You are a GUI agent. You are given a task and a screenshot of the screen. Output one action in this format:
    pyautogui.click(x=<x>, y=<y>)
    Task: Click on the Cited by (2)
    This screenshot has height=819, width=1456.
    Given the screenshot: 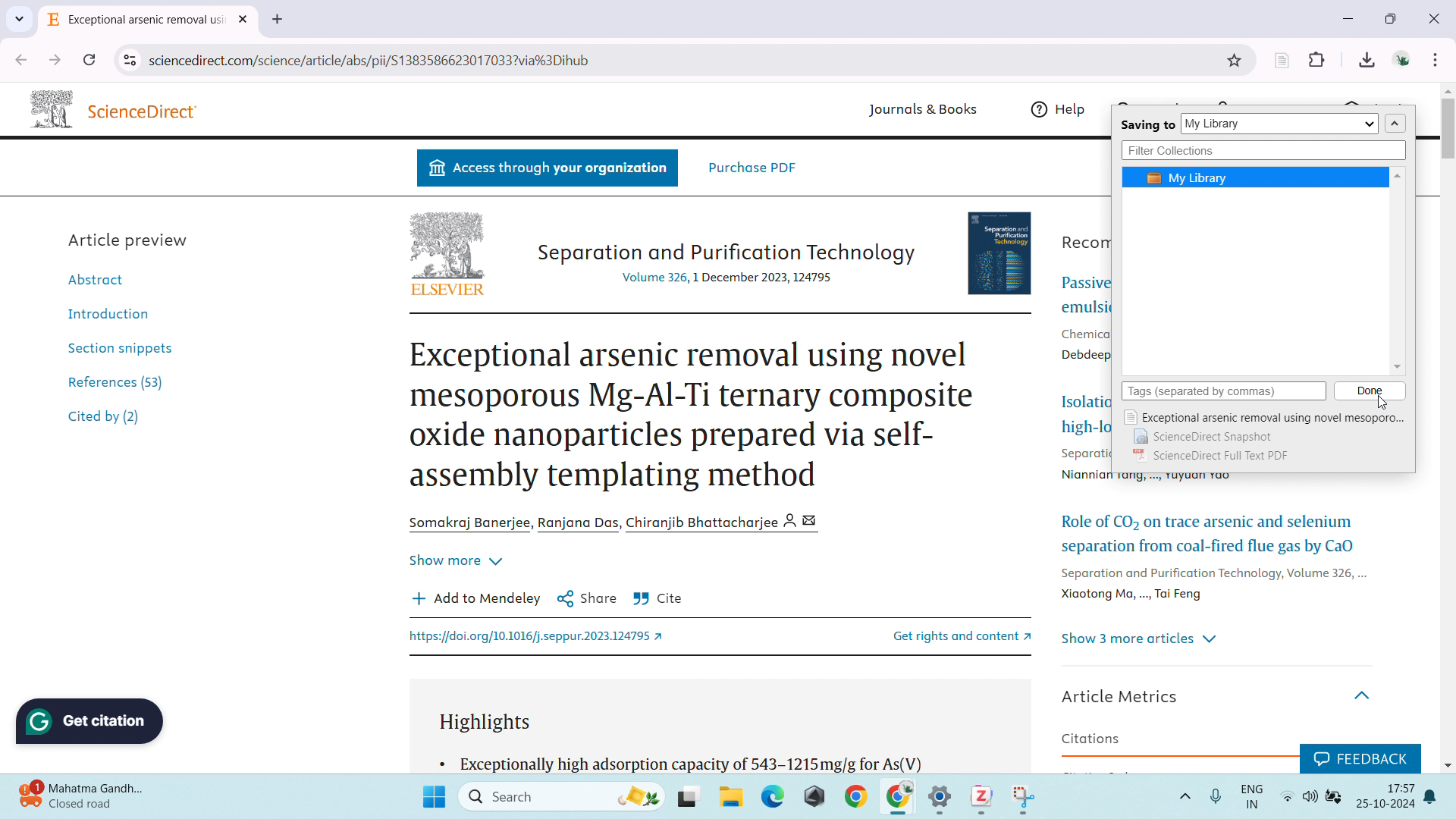 What is the action you would take?
    pyautogui.click(x=105, y=419)
    